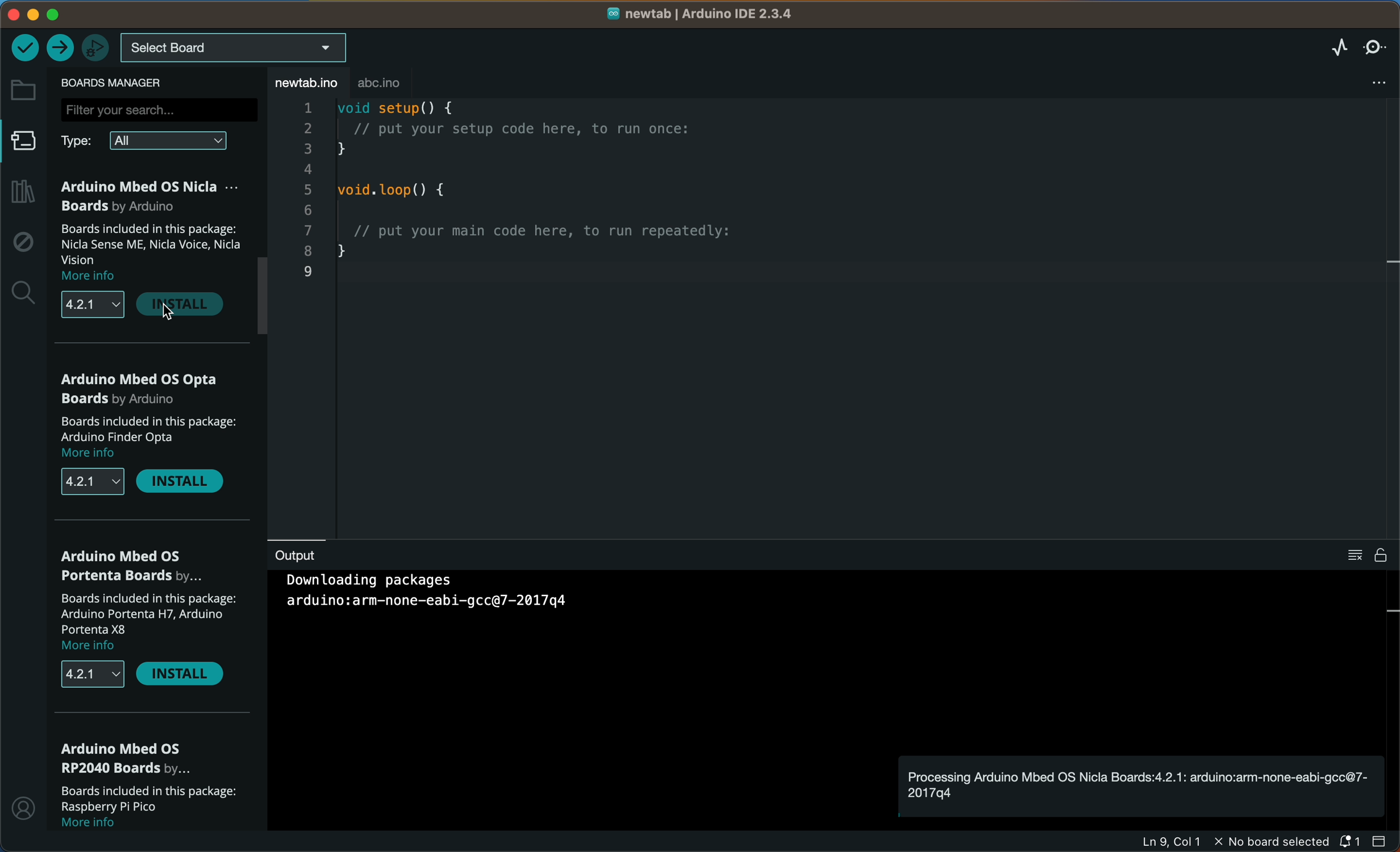  I want to click on file setting, so click(1380, 79).